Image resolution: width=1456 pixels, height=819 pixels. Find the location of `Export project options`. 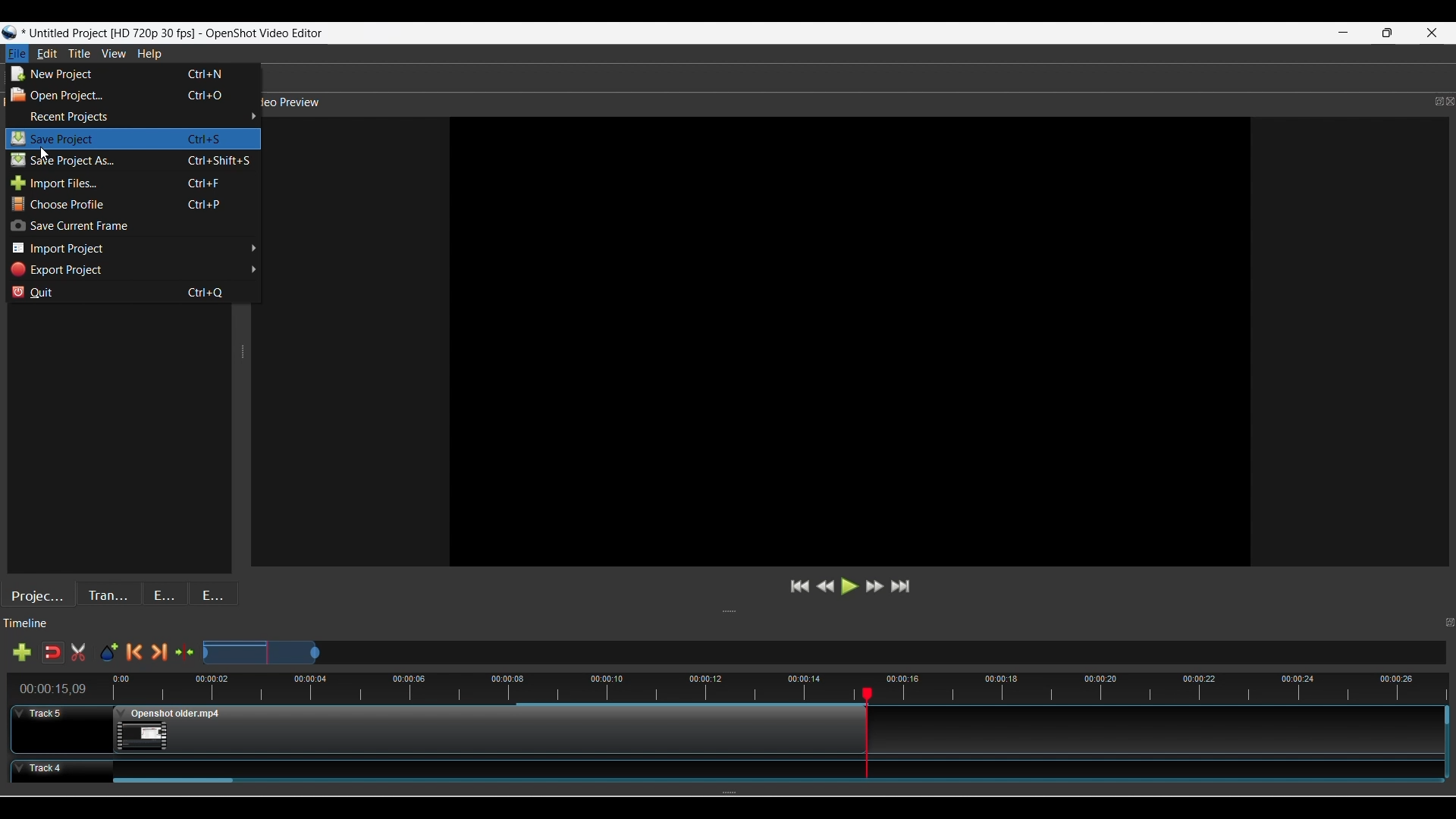

Export project options is located at coordinates (133, 270).